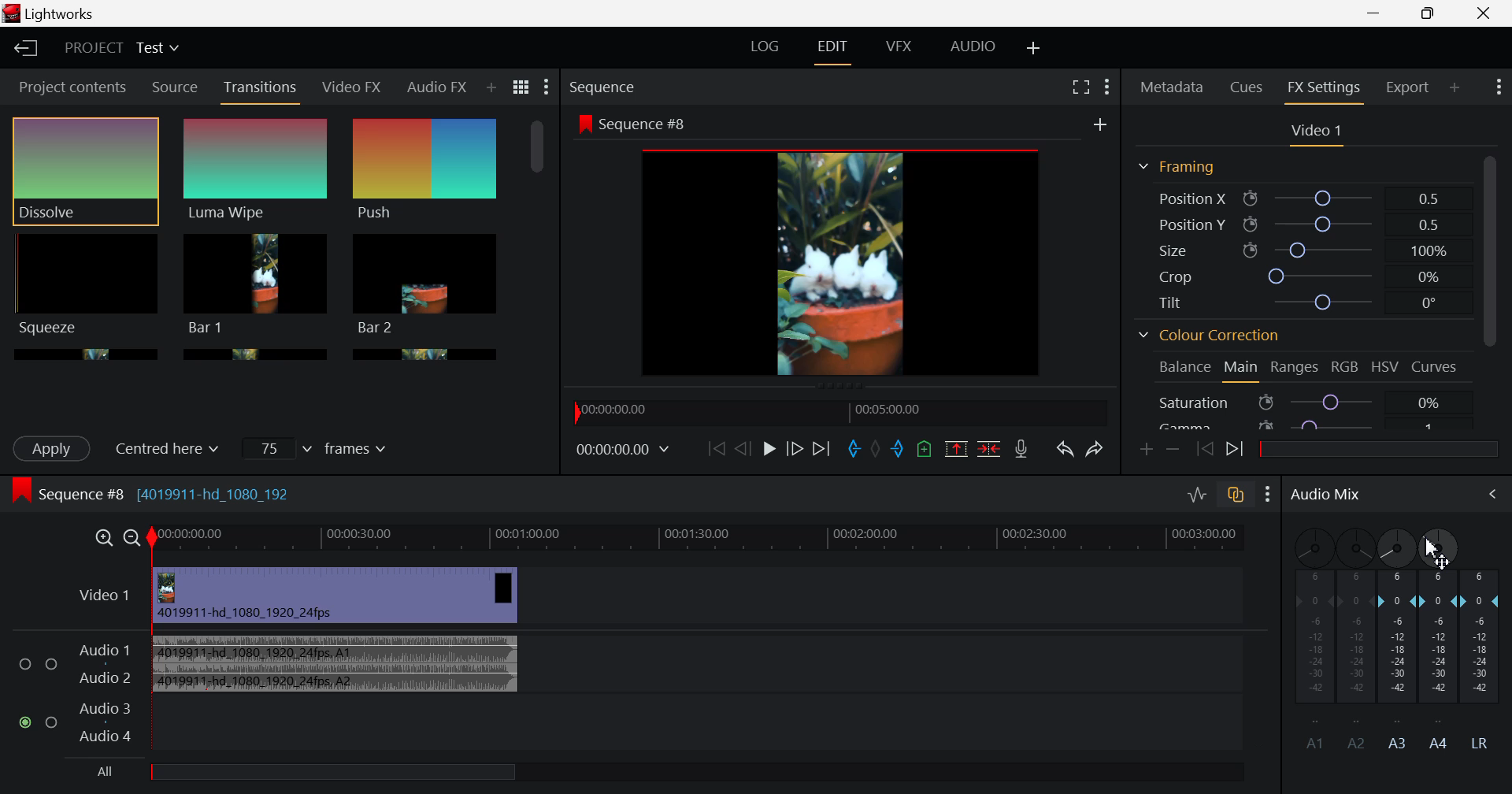  I want to click on Show Settings, so click(1498, 89).